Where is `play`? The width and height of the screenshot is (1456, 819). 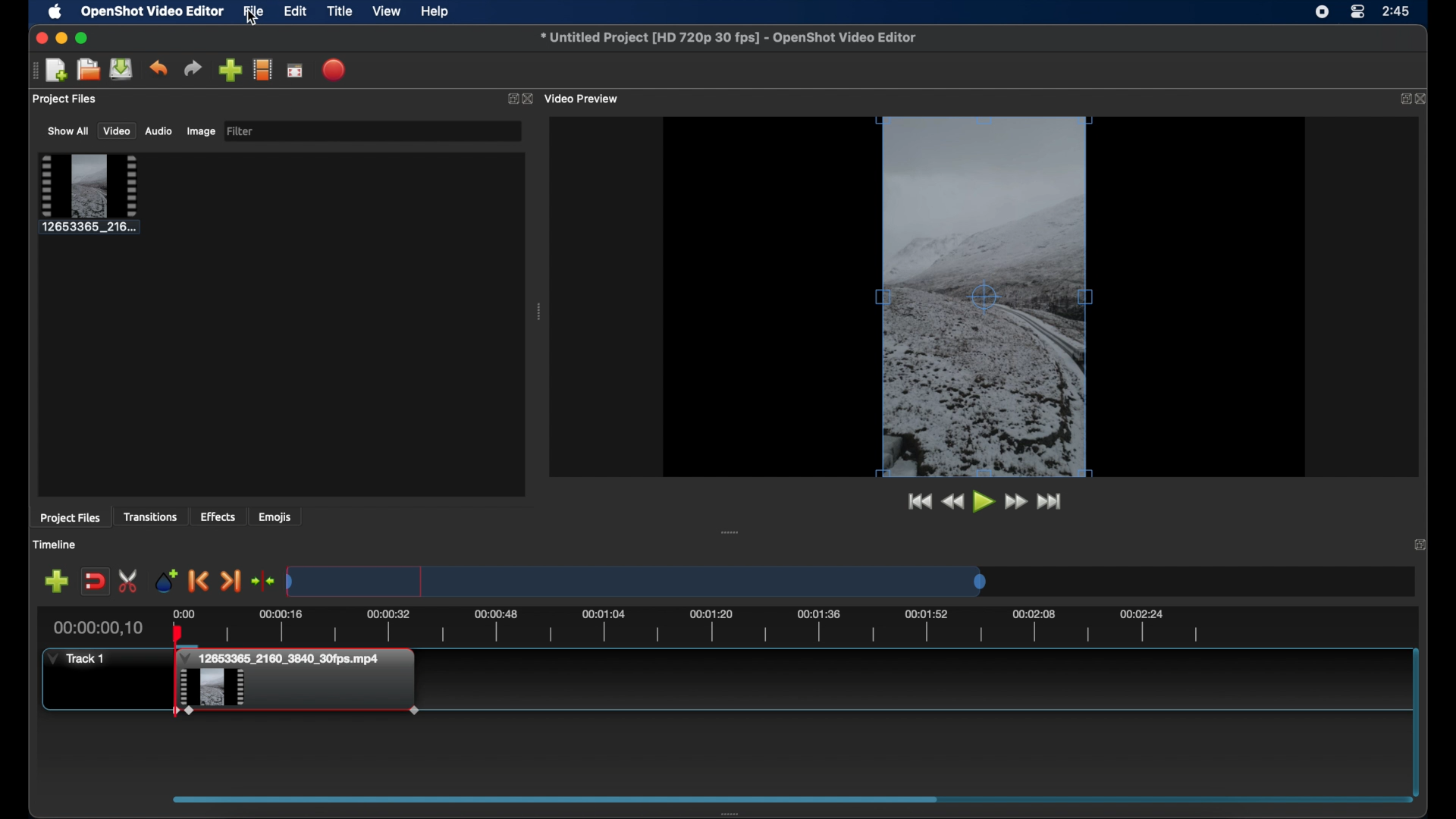 play is located at coordinates (983, 502).